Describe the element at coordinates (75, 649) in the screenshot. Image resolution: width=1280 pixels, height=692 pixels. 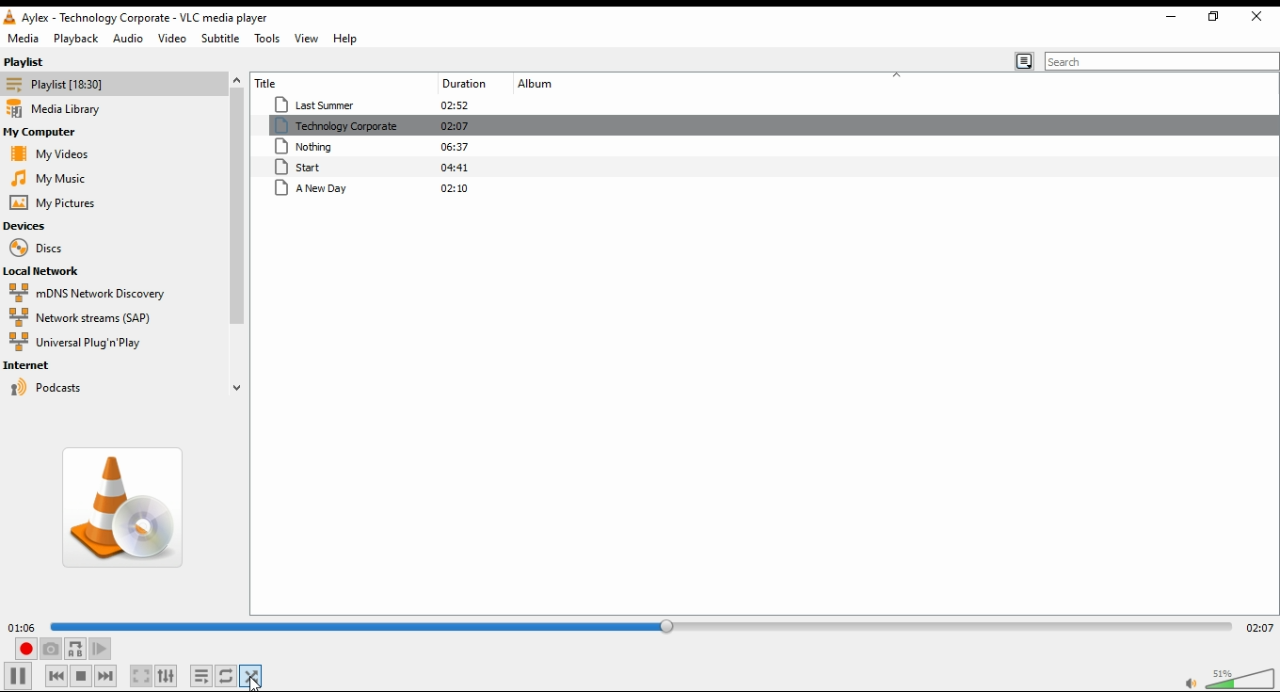
I see `loop between point A and point B continuously` at that location.